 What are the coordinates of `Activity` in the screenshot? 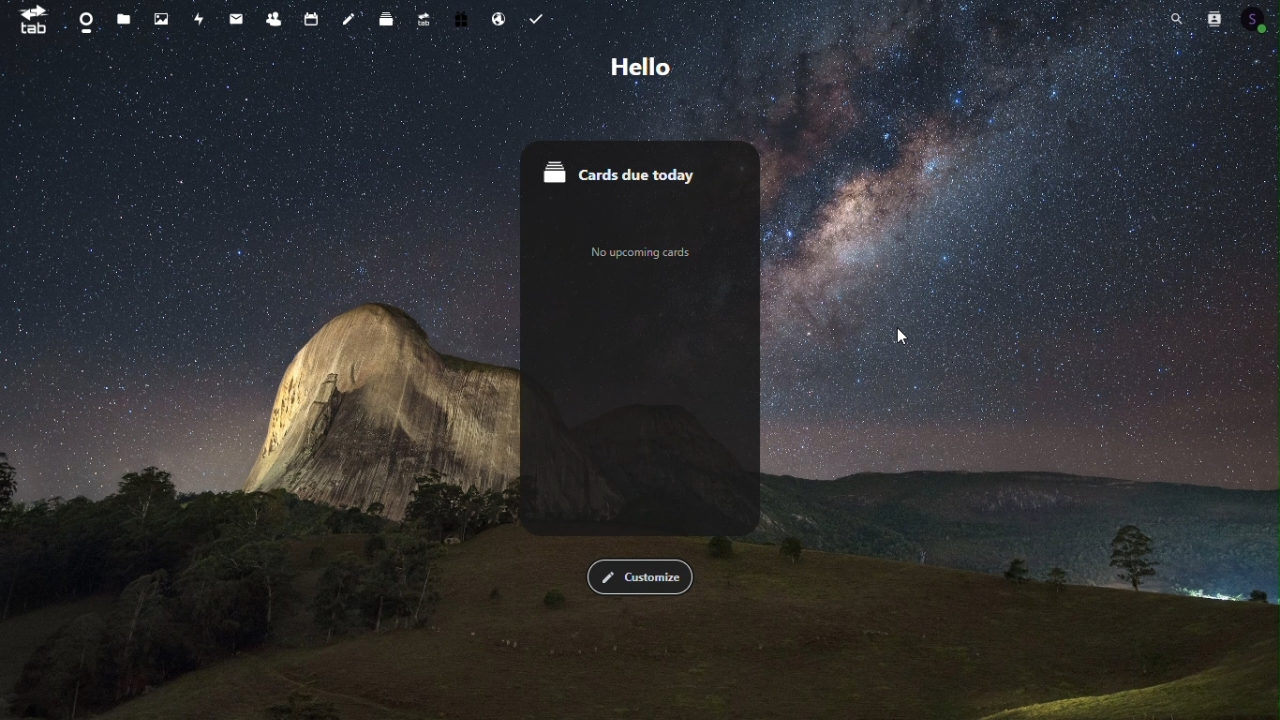 It's located at (200, 19).